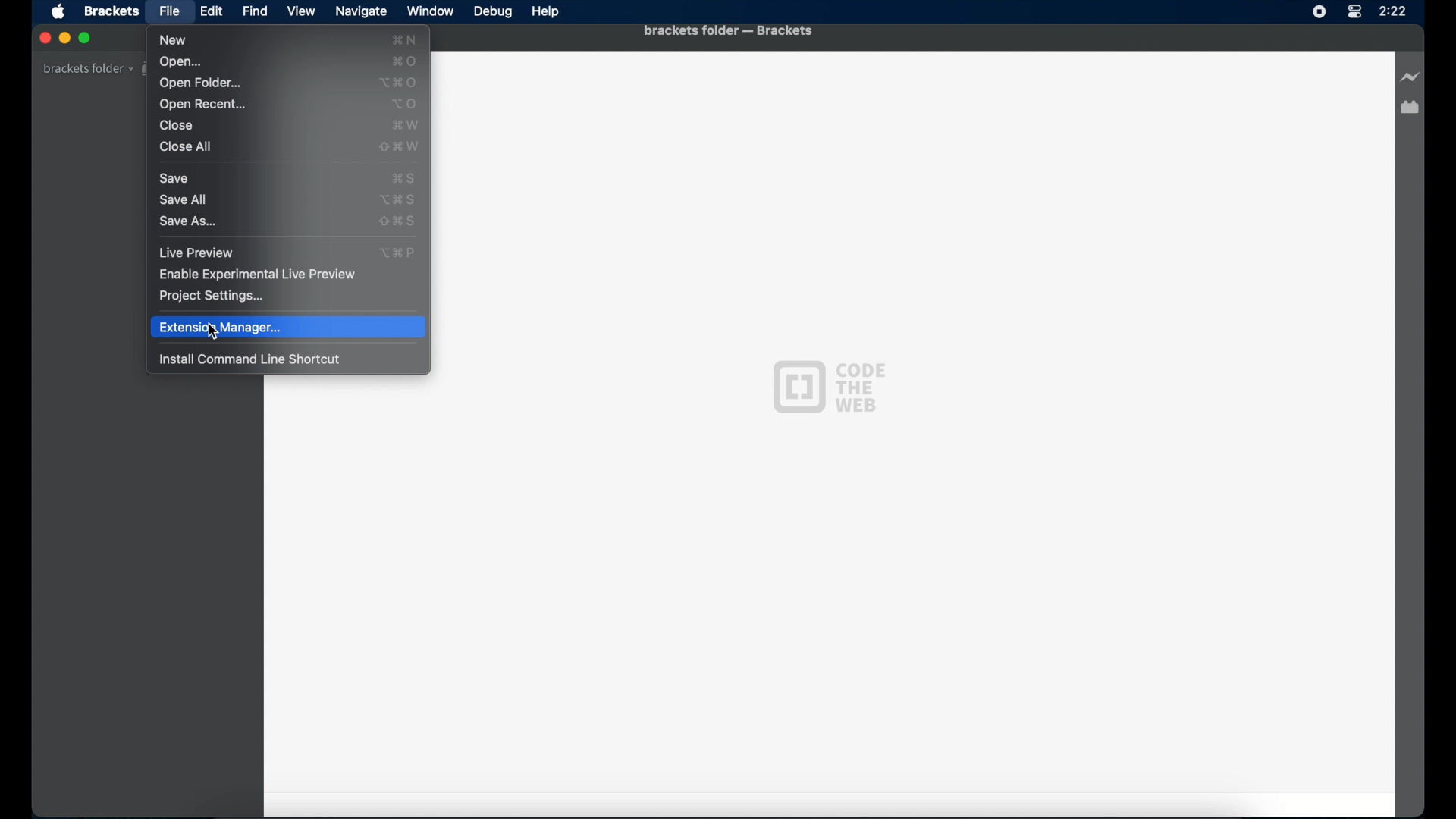  What do you see at coordinates (828, 387) in the screenshot?
I see `code the web` at bounding box center [828, 387].